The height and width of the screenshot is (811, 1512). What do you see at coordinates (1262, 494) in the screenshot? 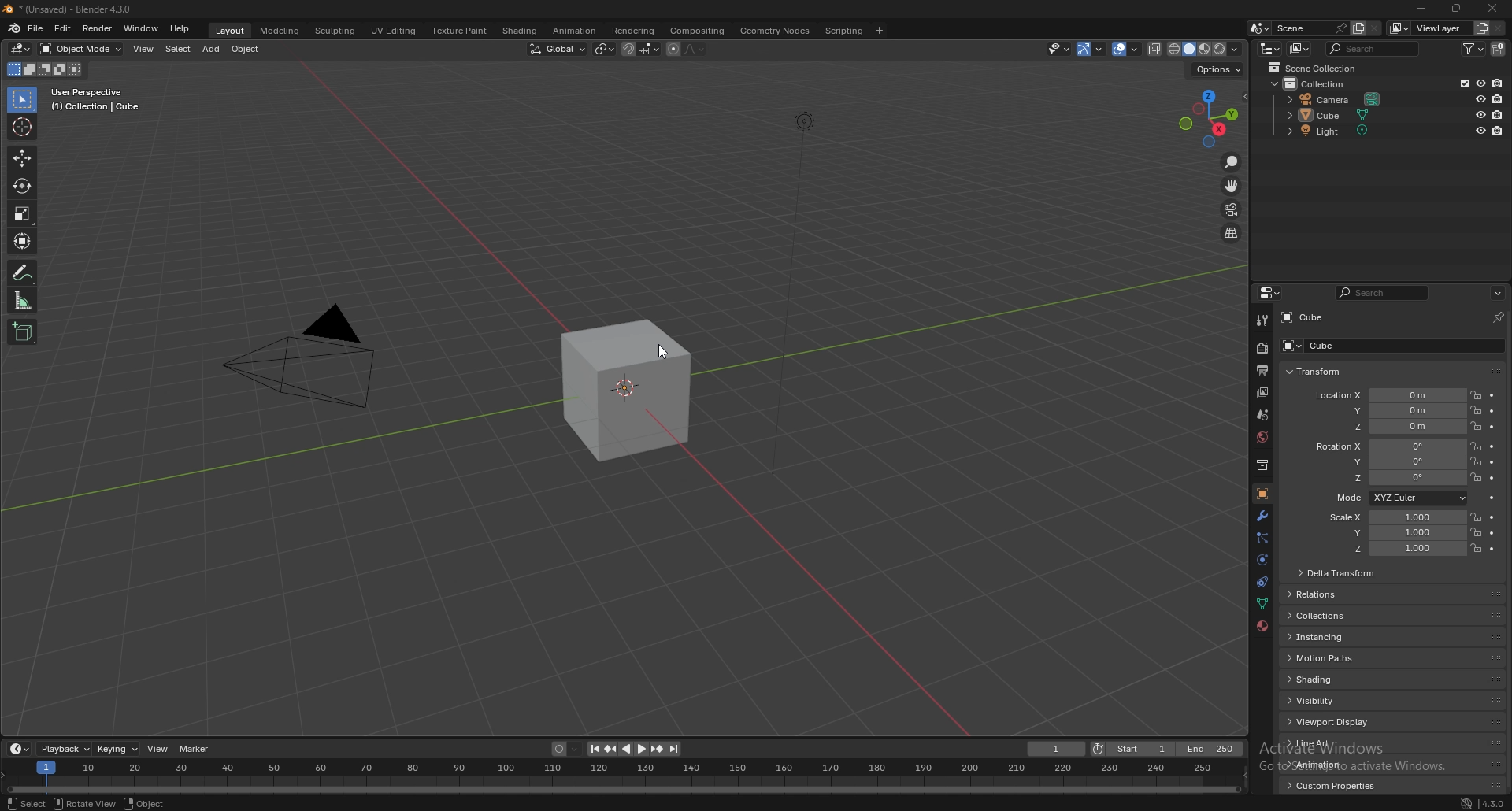
I see `object` at bounding box center [1262, 494].